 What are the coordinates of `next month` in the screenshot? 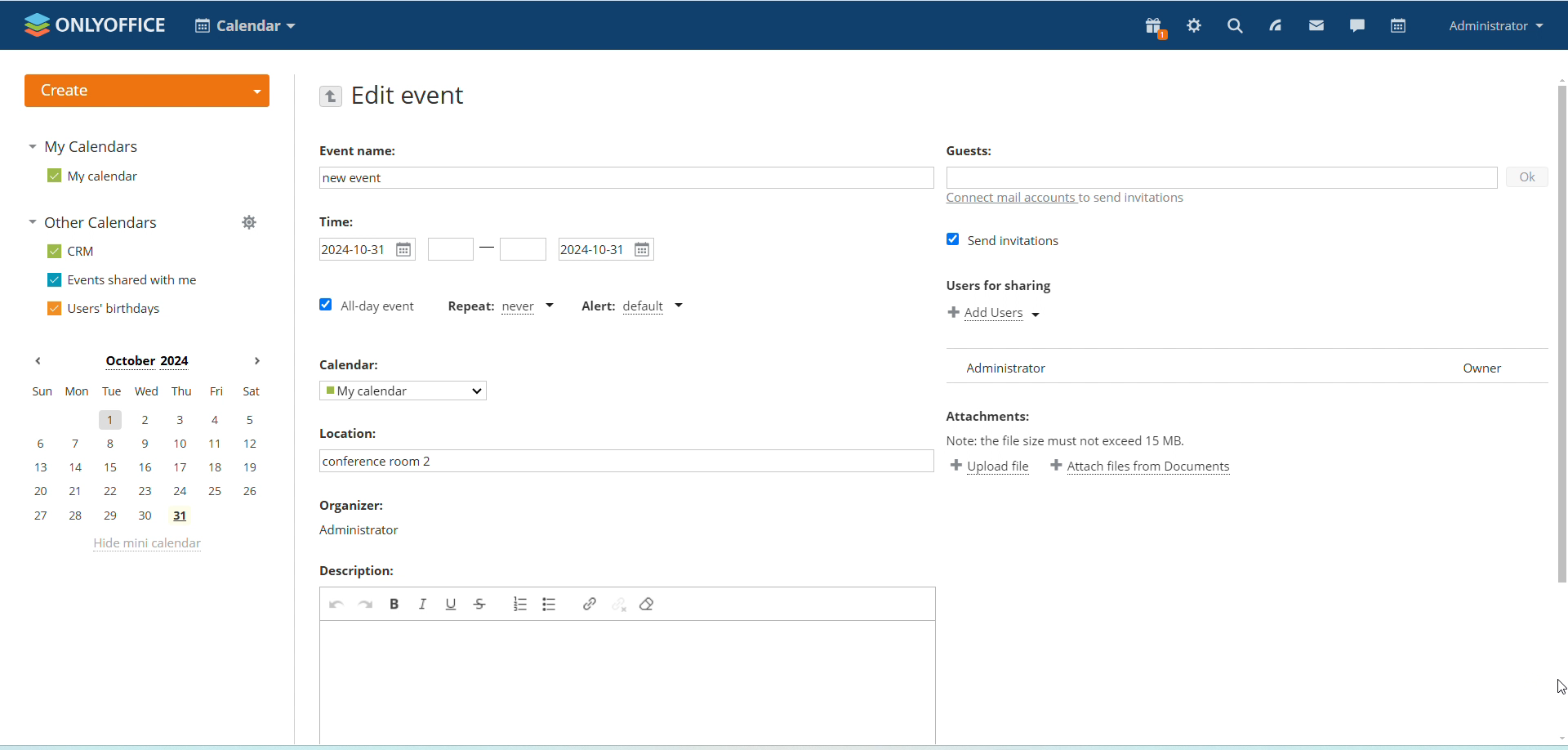 It's located at (256, 362).